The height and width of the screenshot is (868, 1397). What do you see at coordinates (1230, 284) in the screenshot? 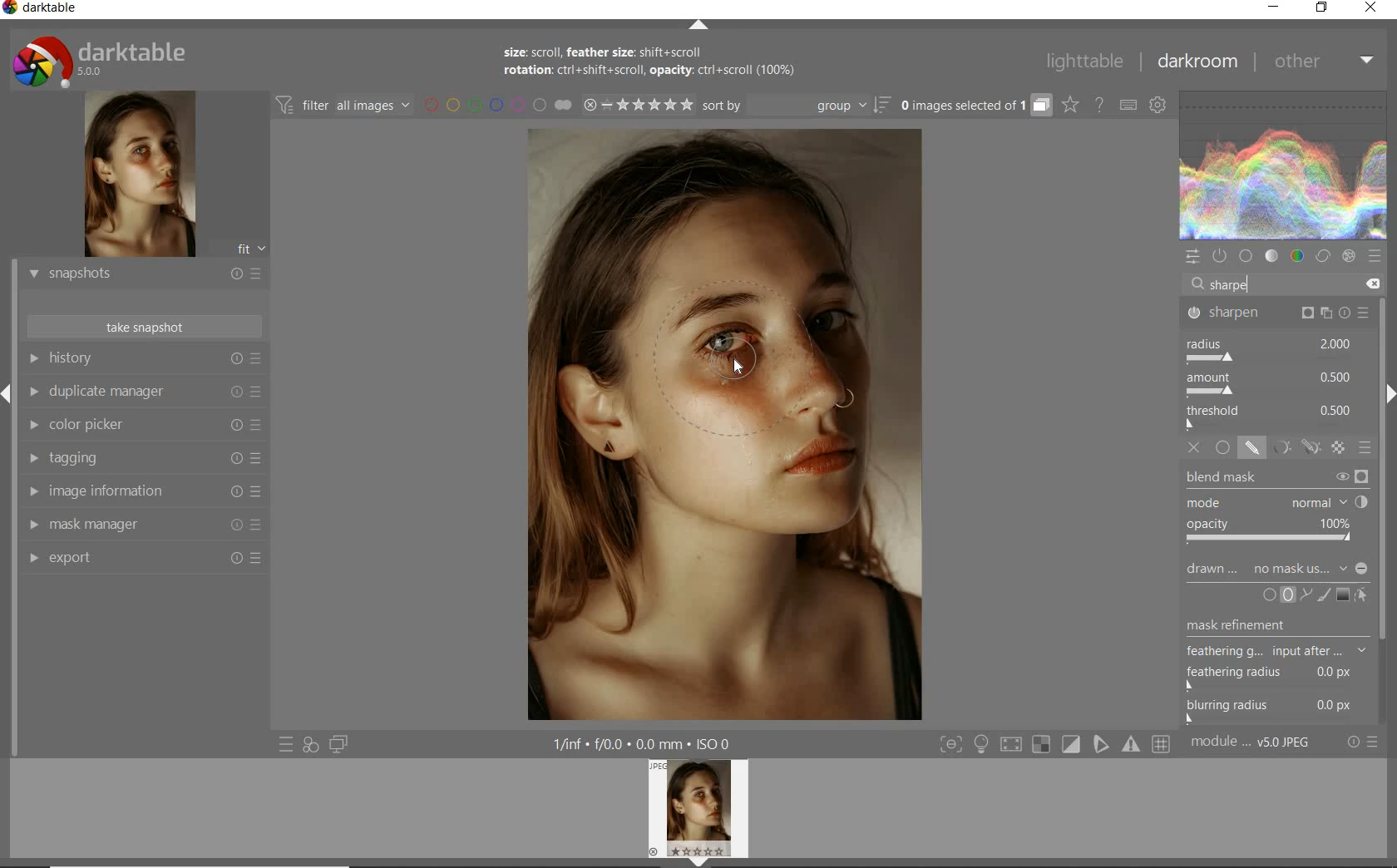
I see `INPUT VALUE` at bounding box center [1230, 284].